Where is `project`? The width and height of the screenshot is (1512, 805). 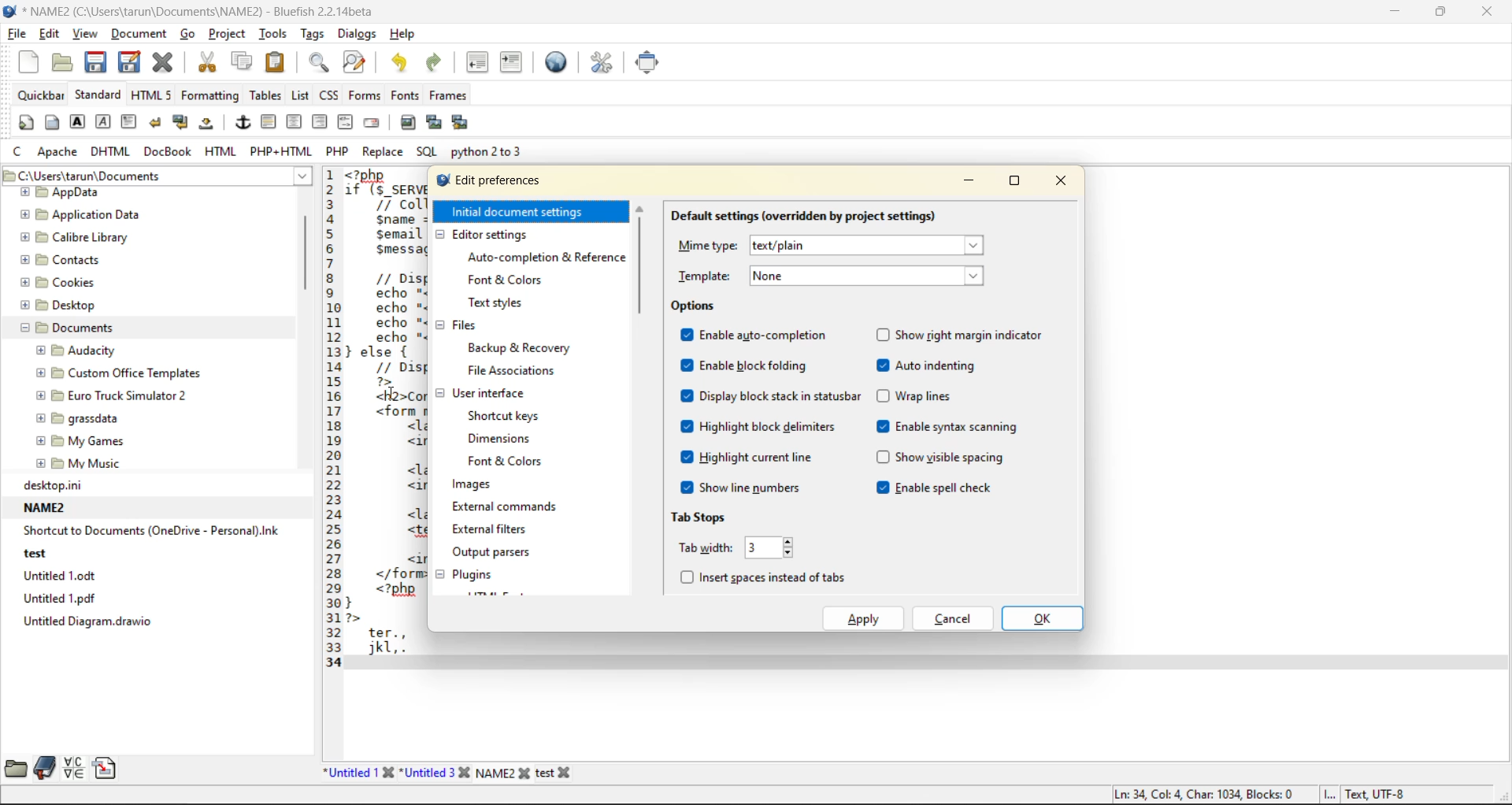
project is located at coordinates (227, 35).